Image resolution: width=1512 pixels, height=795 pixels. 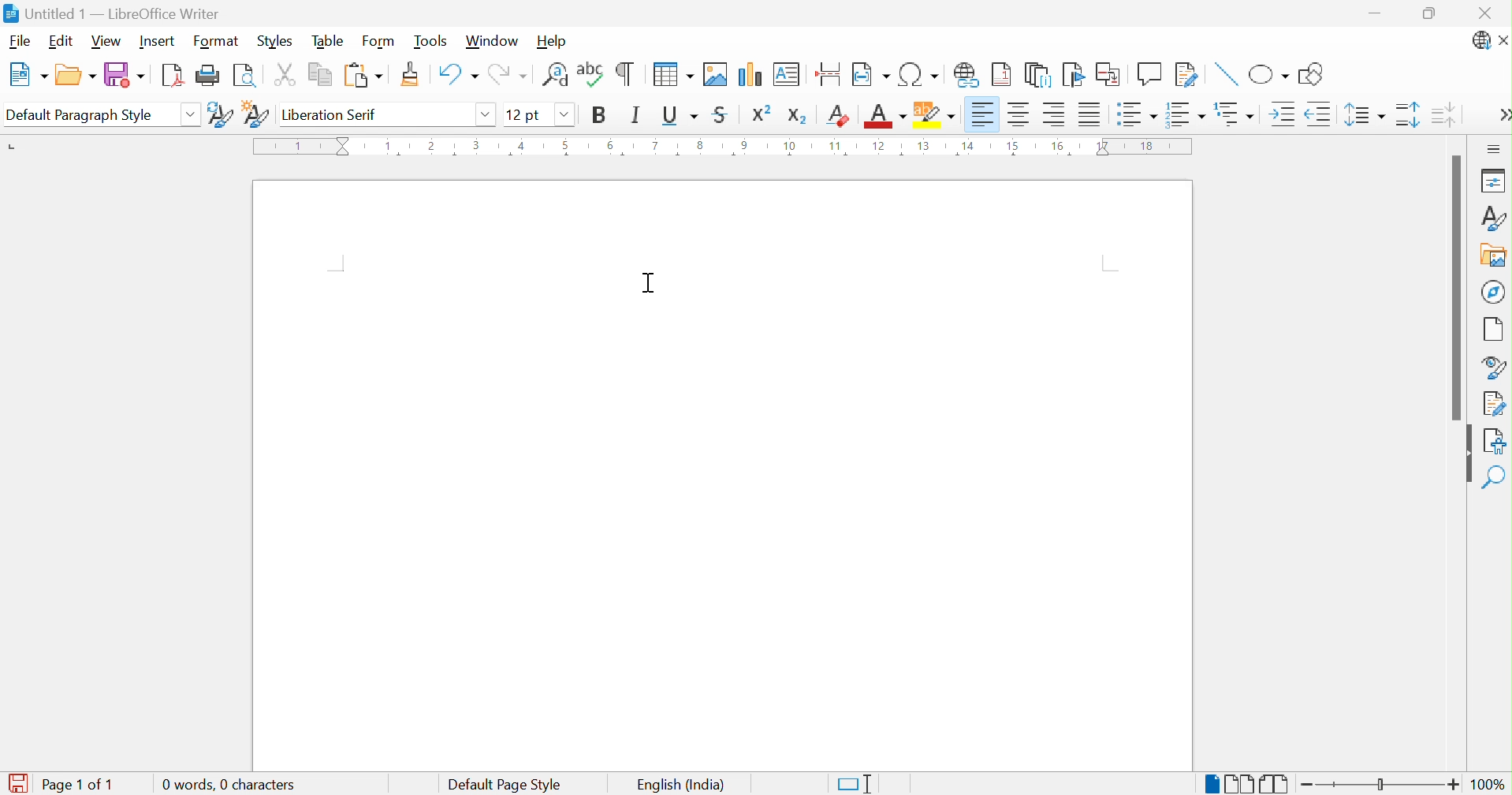 I want to click on Select outline format, so click(x=1234, y=112).